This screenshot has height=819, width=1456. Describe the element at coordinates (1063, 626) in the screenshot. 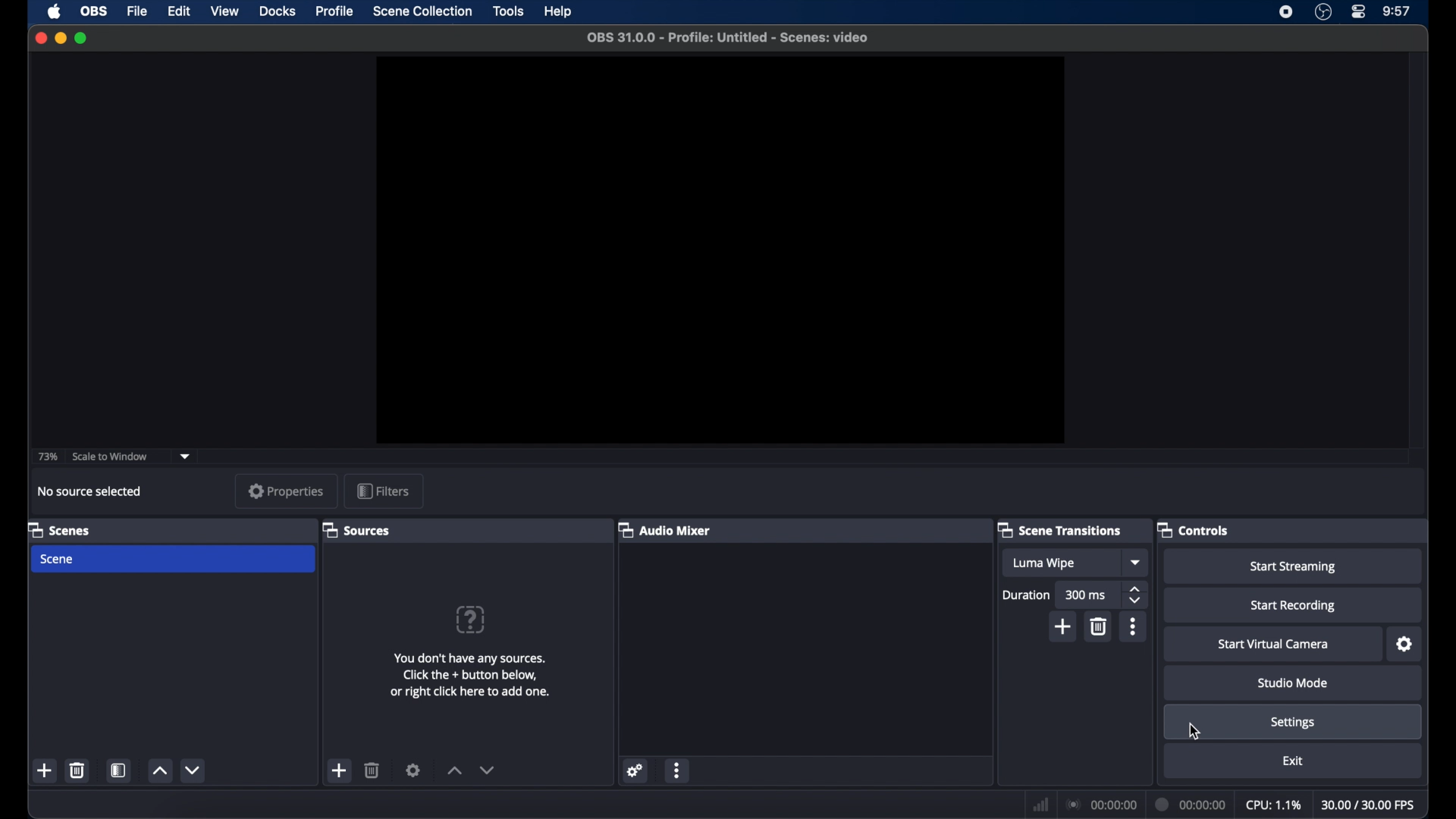

I see `add` at that location.